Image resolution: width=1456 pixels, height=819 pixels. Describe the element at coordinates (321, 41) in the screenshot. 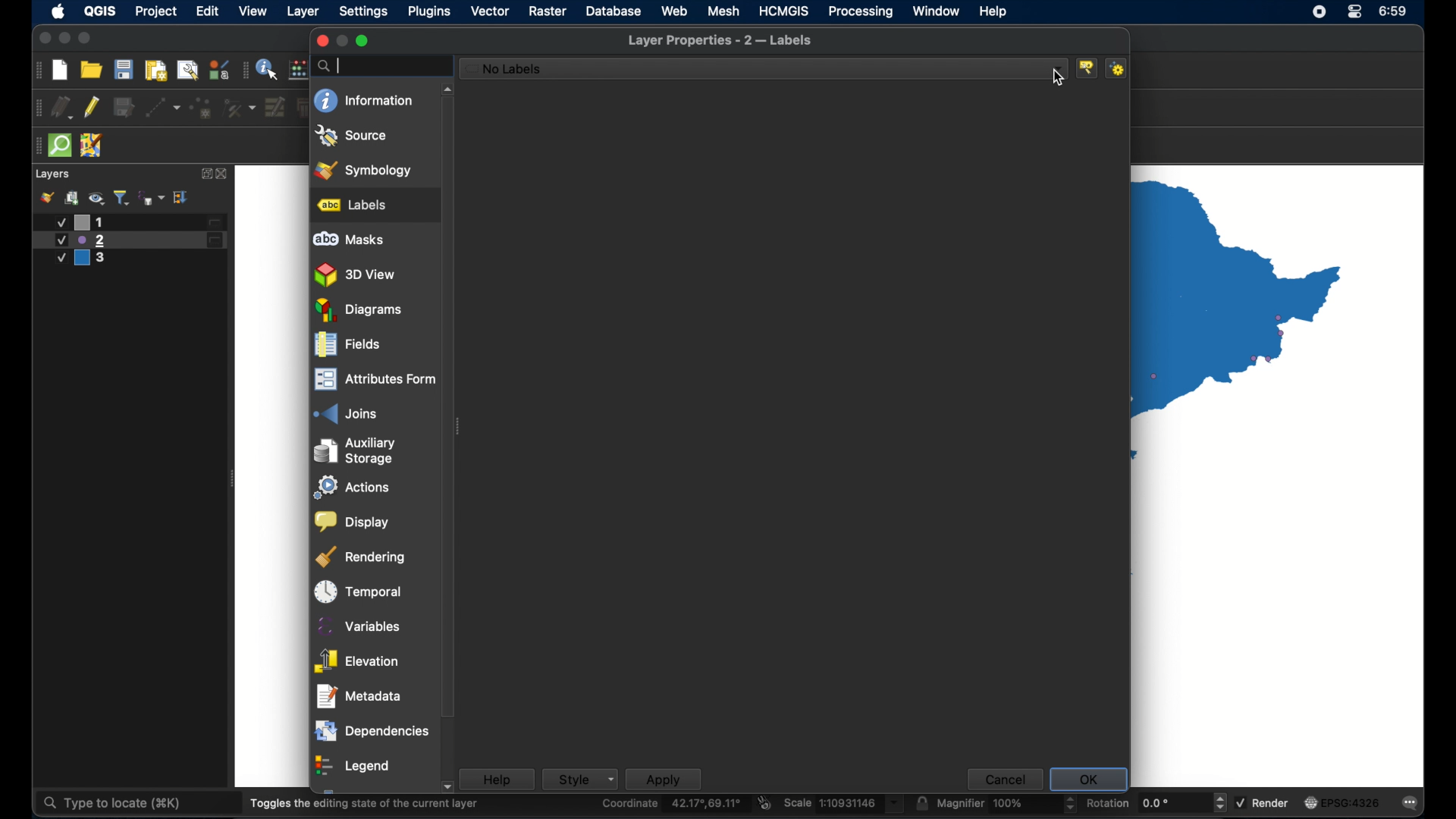

I see `close` at that location.